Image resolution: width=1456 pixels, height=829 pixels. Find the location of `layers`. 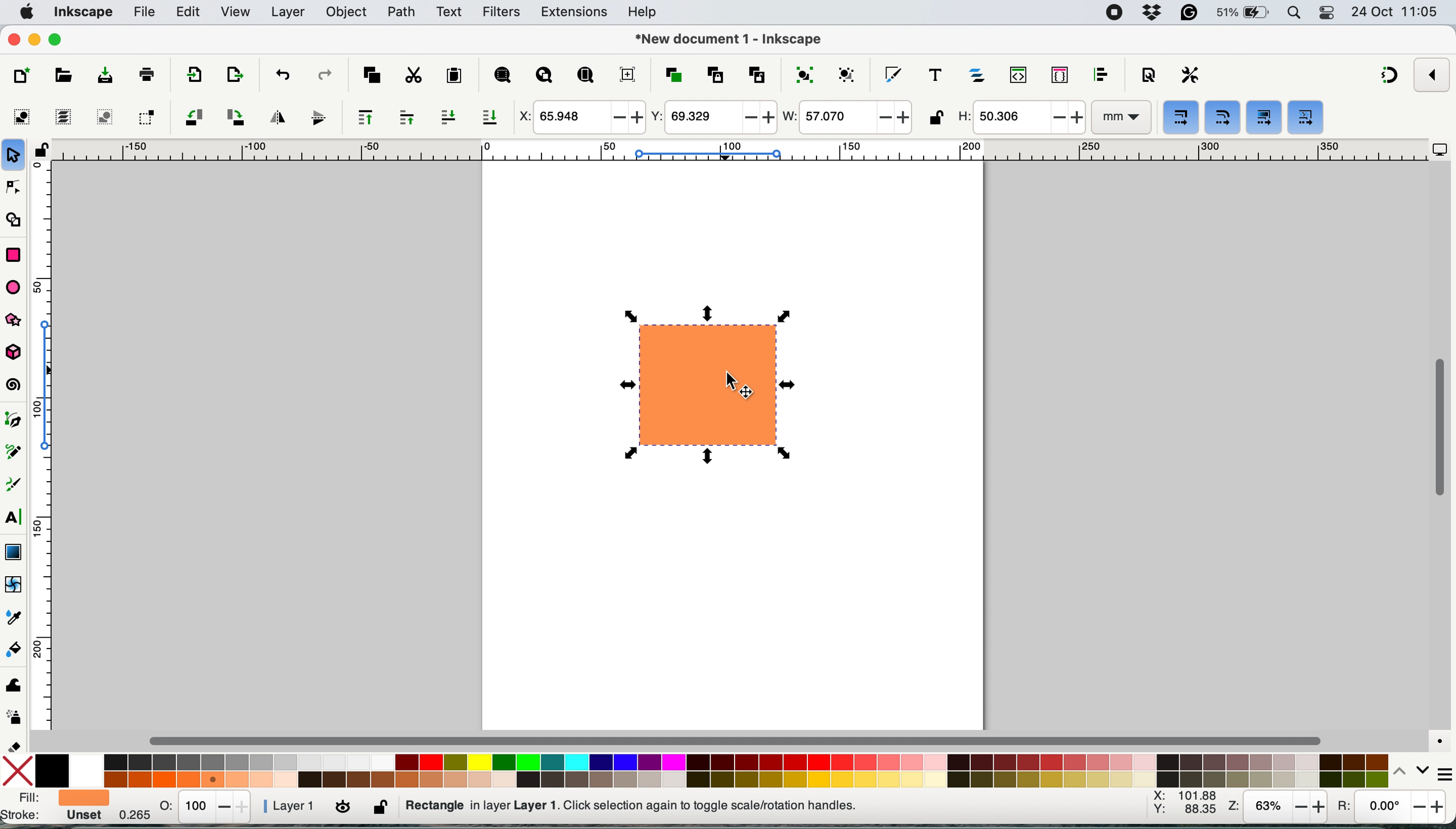

layers is located at coordinates (288, 12).